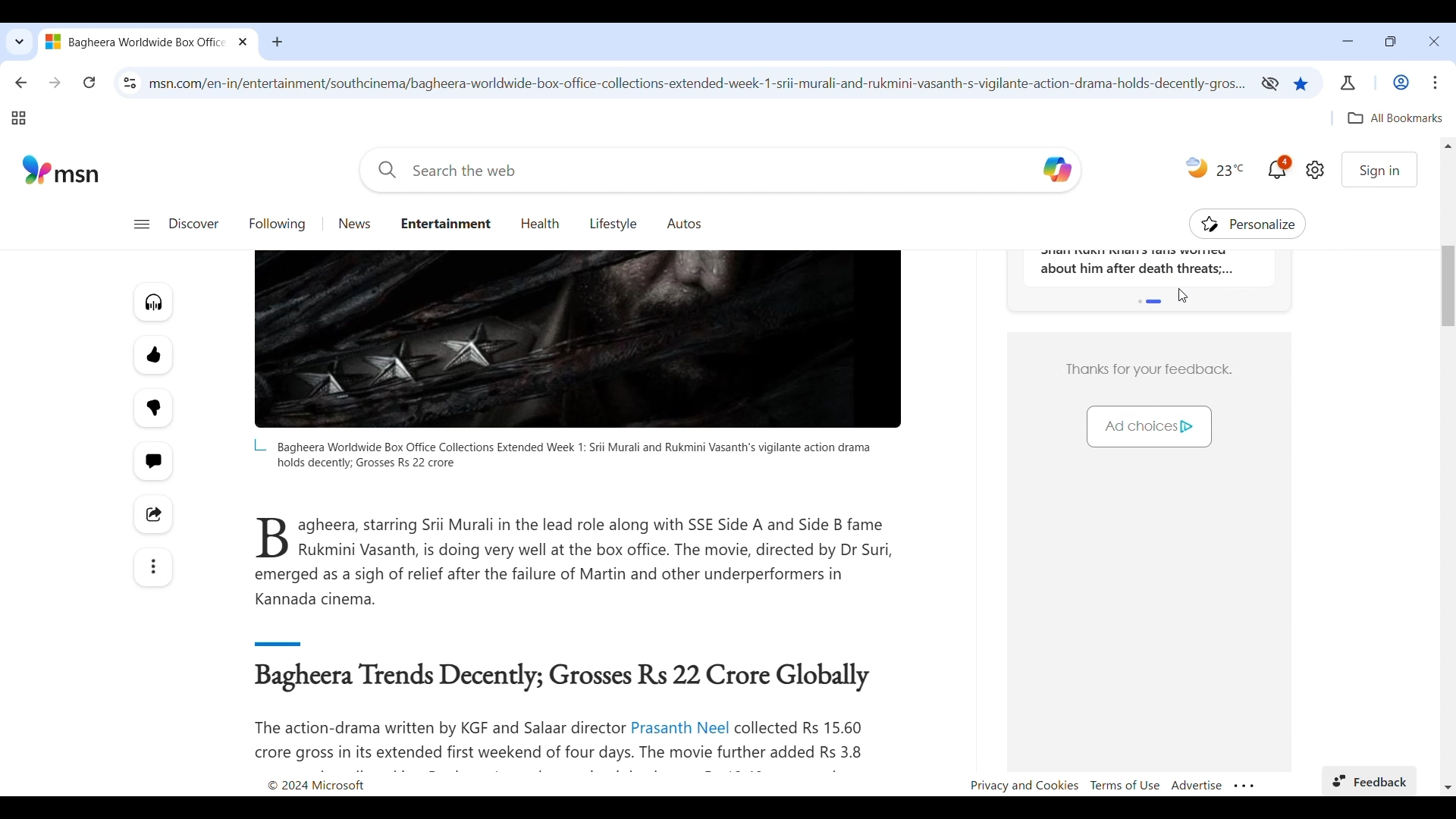 The height and width of the screenshot is (819, 1456). Describe the element at coordinates (1348, 41) in the screenshot. I see `Minimize` at that location.